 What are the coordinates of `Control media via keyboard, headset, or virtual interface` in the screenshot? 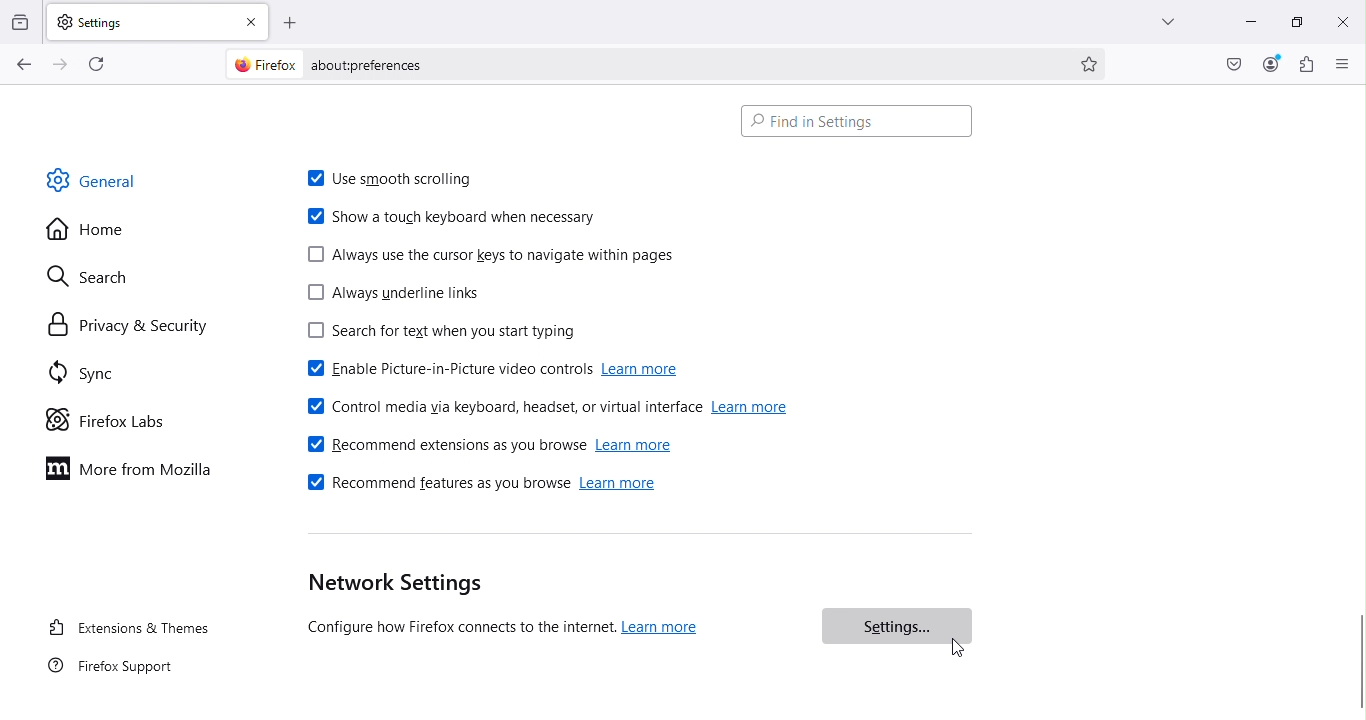 It's located at (554, 409).